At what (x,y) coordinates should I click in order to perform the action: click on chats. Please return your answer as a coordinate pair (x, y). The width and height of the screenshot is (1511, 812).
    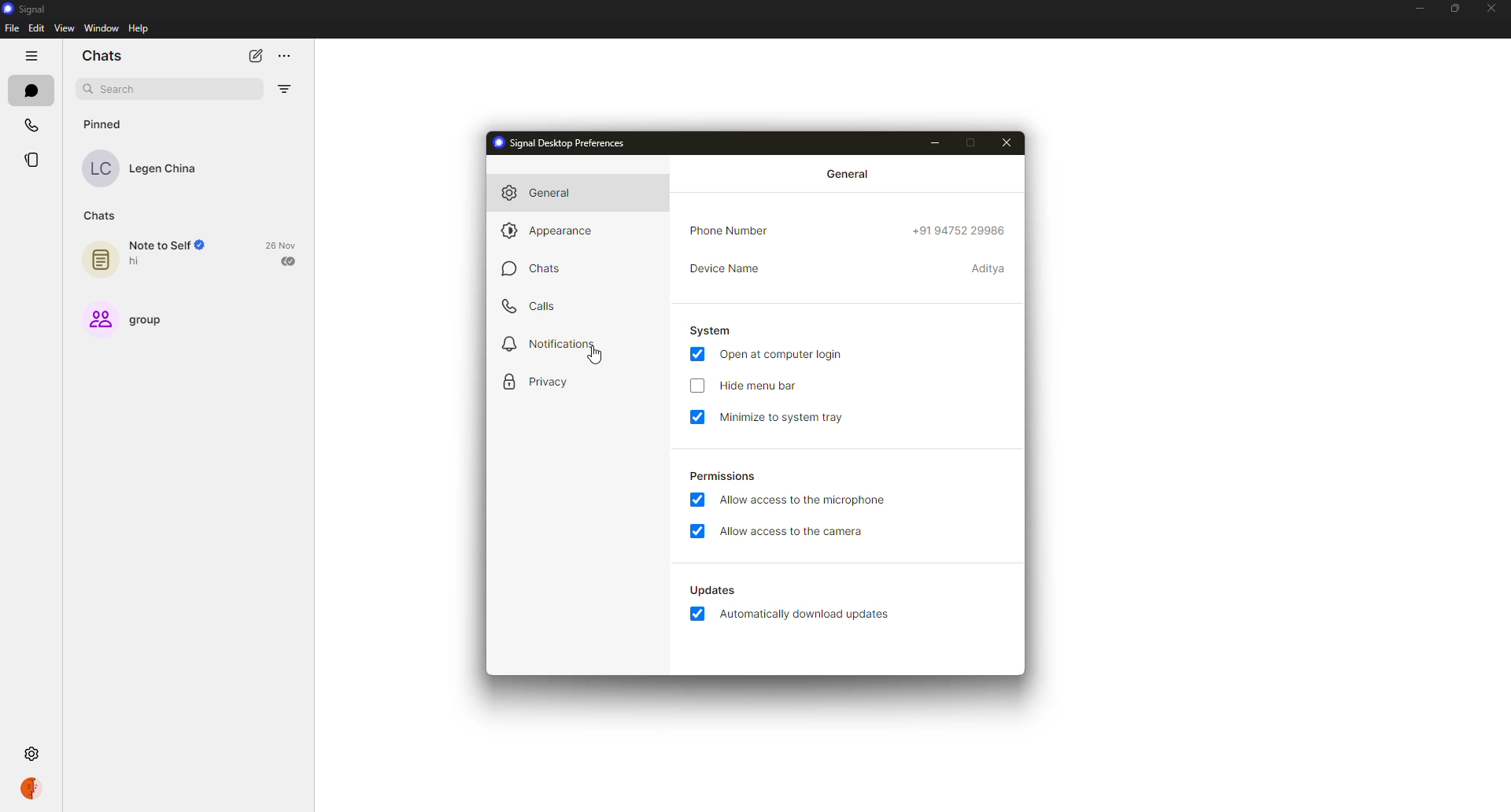
    Looking at the image, I should click on (530, 272).